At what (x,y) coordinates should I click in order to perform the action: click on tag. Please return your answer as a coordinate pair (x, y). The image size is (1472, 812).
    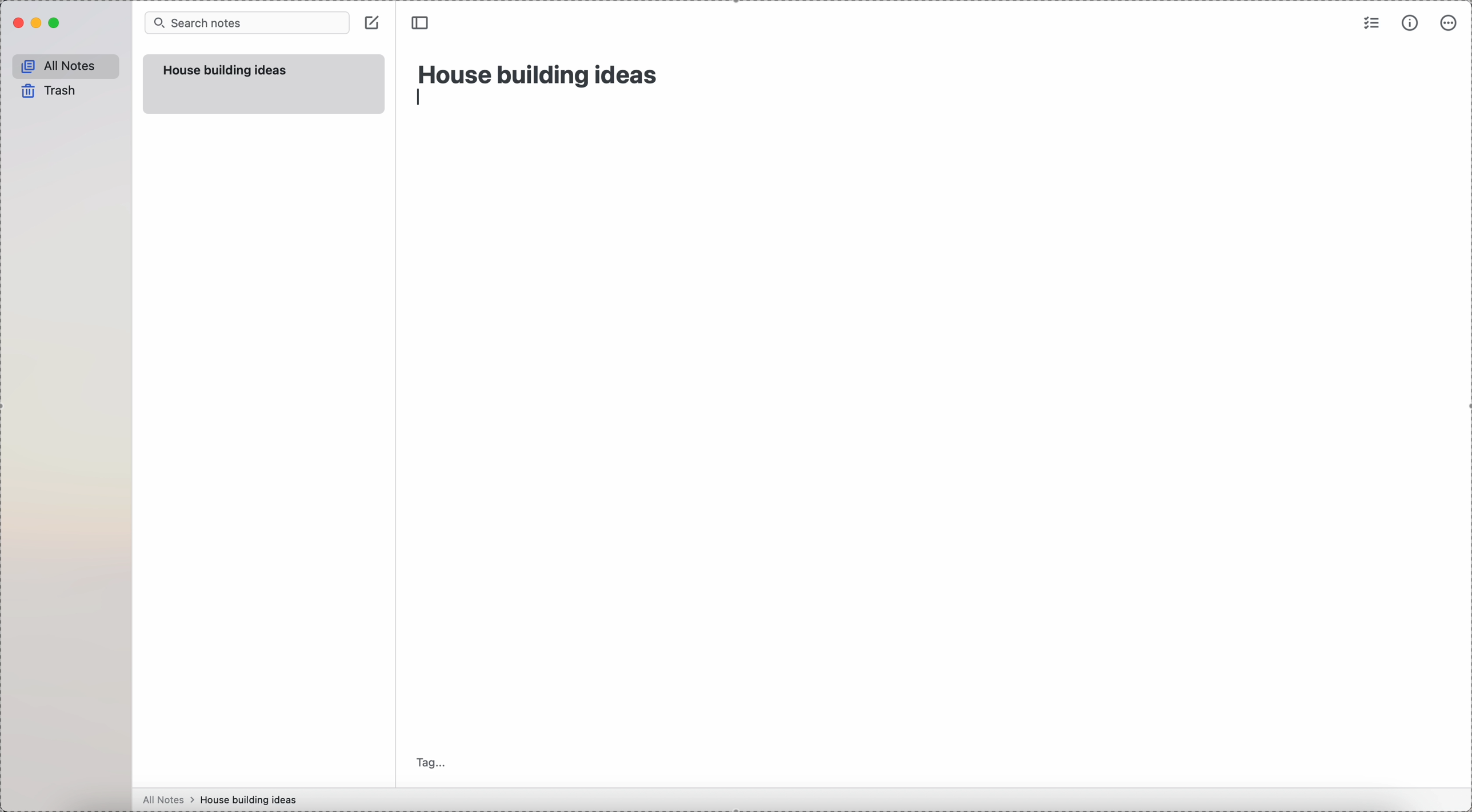
    Looking at the image, I should click on (433, 762).